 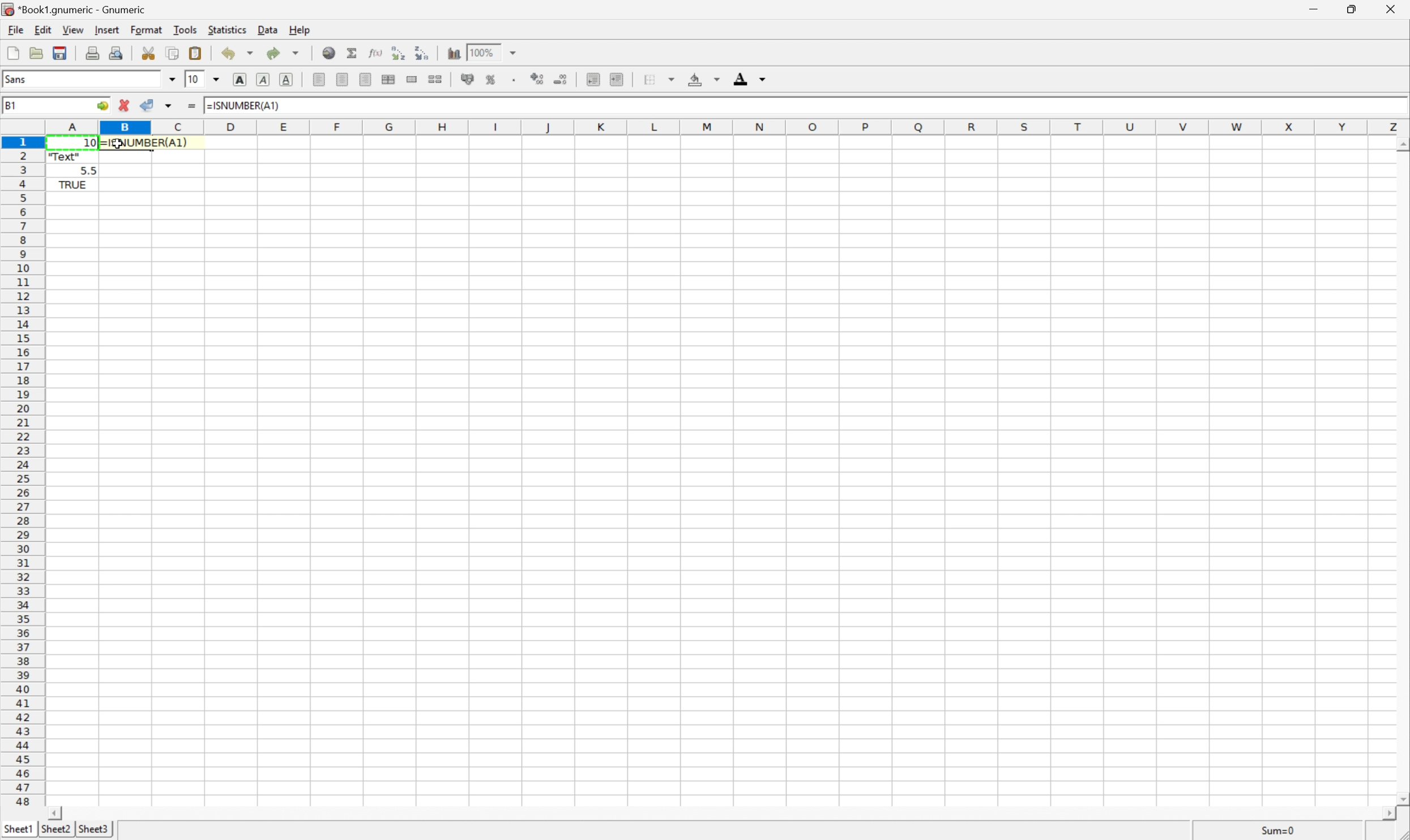 What do you see at coordinates (54, 813) in the screenshot?
I see `Scroll Left` at bounding box center [54, 813].